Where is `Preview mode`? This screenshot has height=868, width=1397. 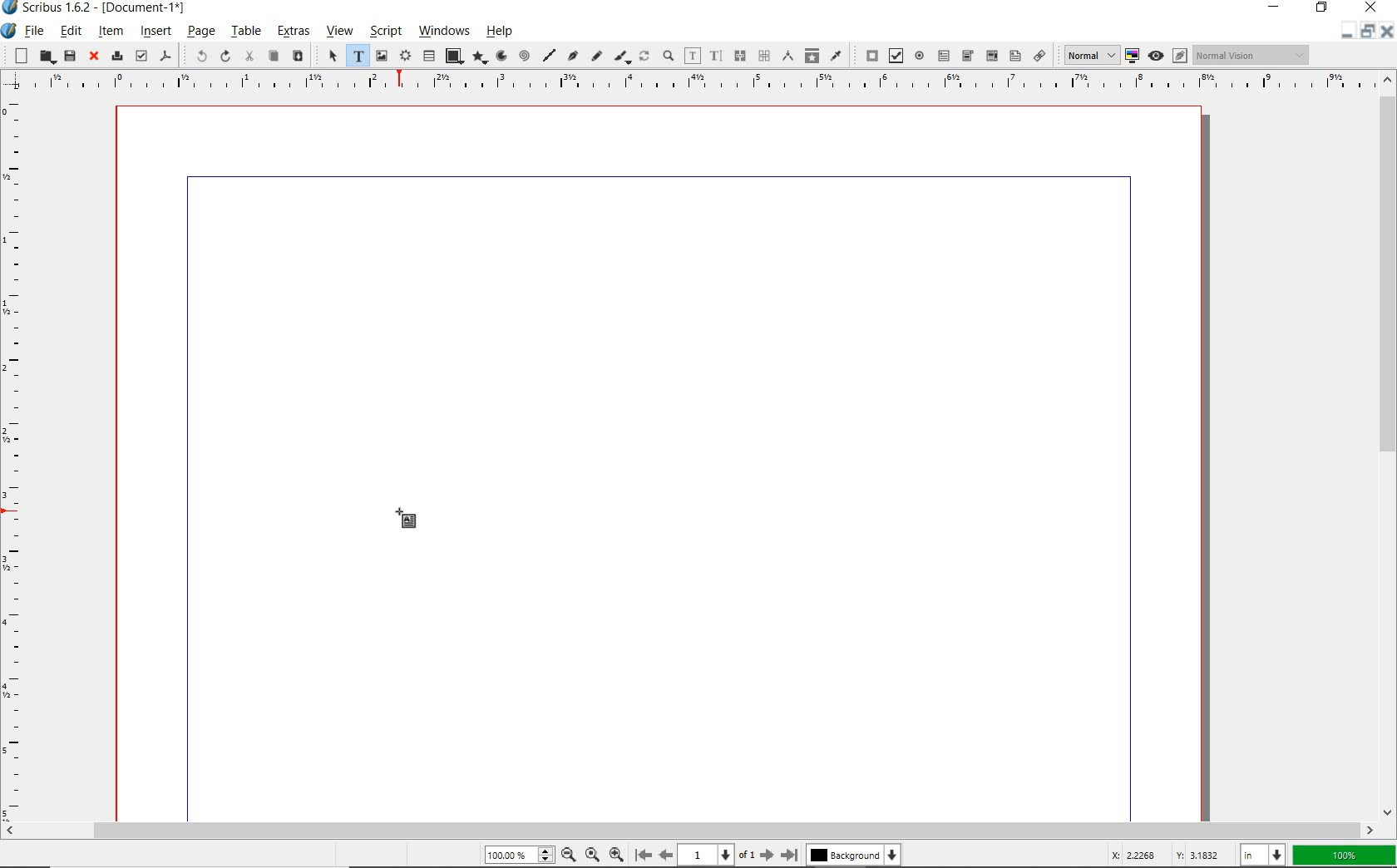
Preview mode is located at coordinates (1155, 55).